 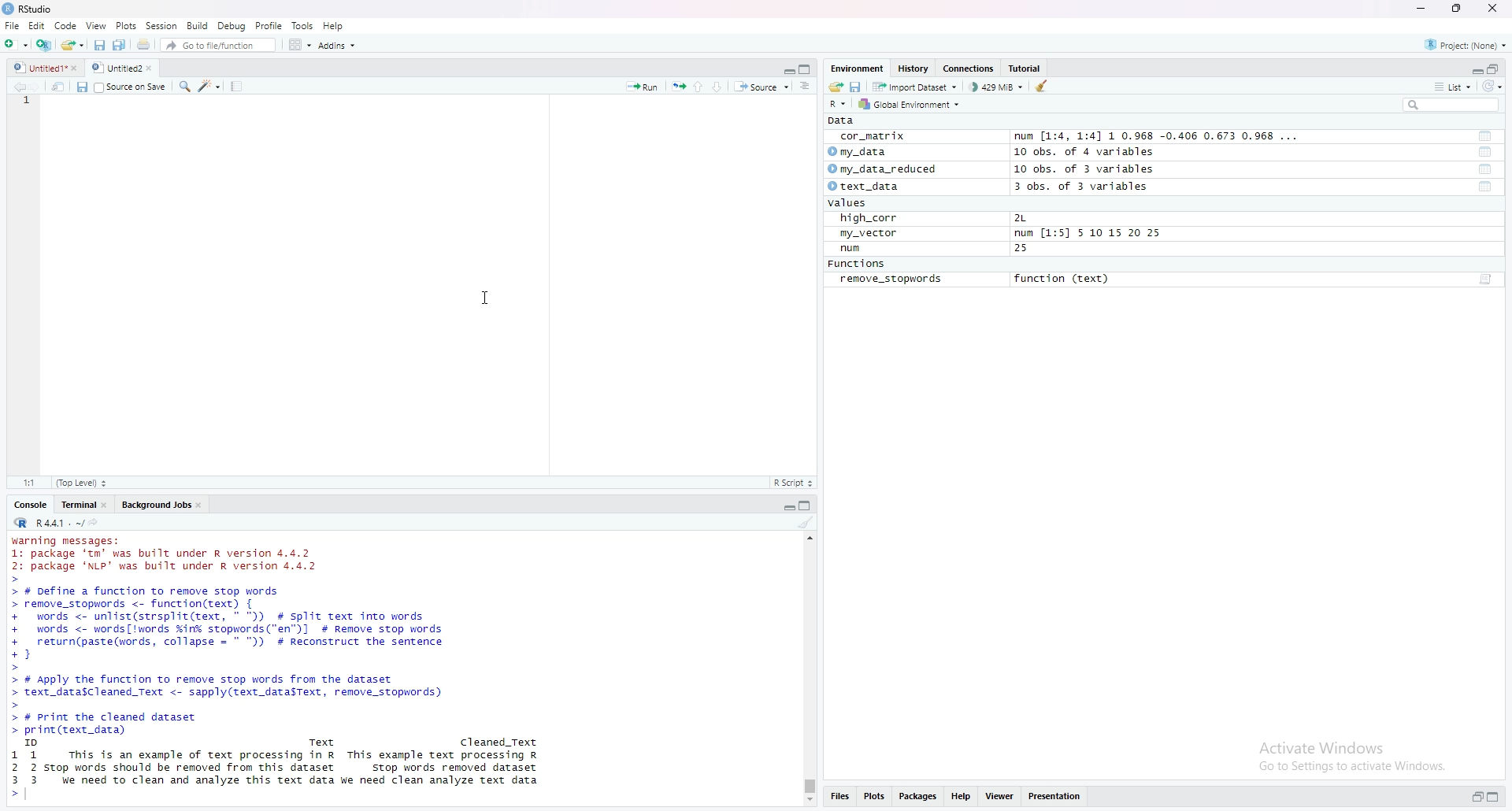 What do you see at coordinates (1484, 169) in the screenshot?
I see `Show Table` at bounding box center [1484, 169].